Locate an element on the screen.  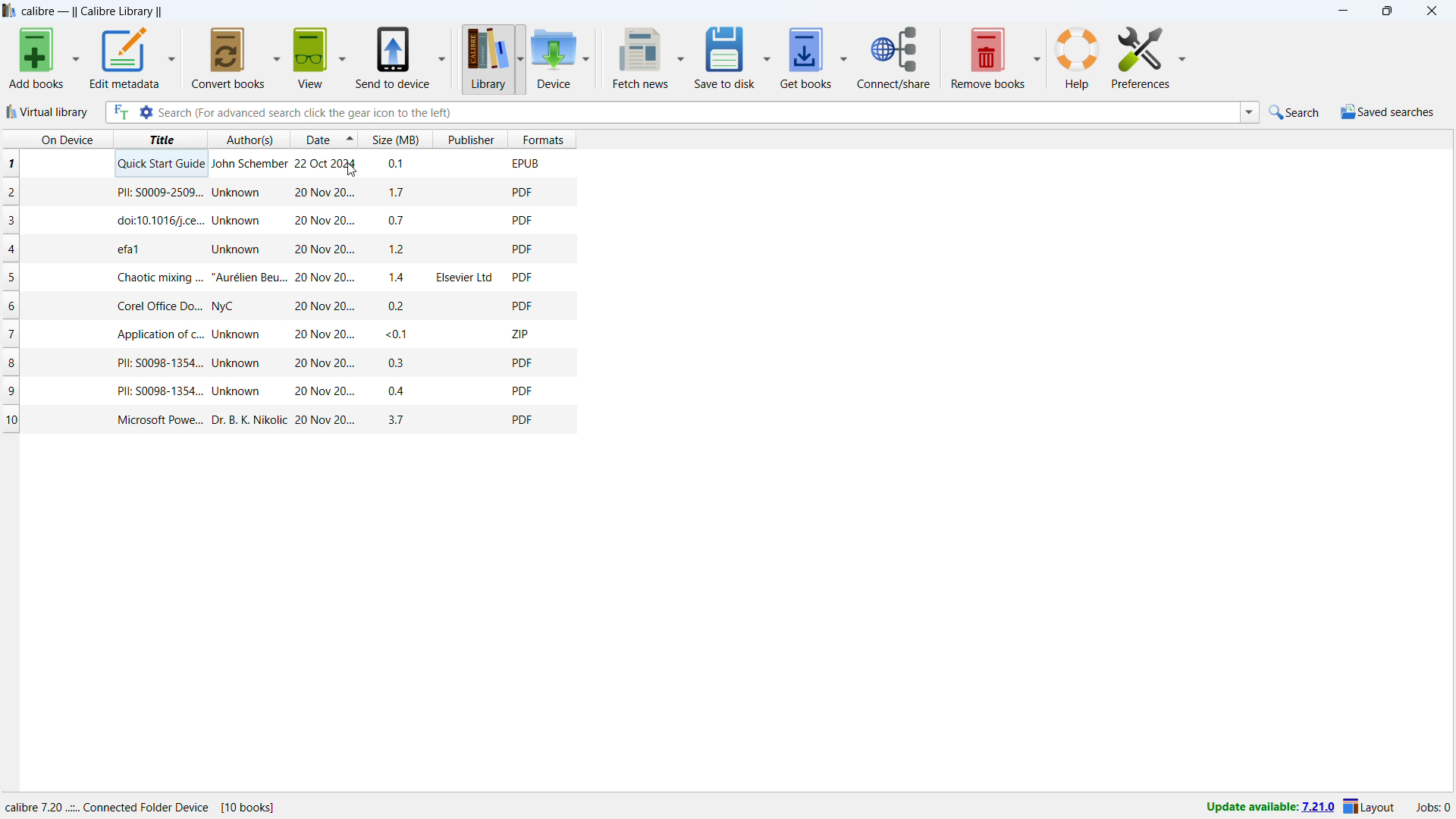
connect/share is located at coordinates (893, 58).